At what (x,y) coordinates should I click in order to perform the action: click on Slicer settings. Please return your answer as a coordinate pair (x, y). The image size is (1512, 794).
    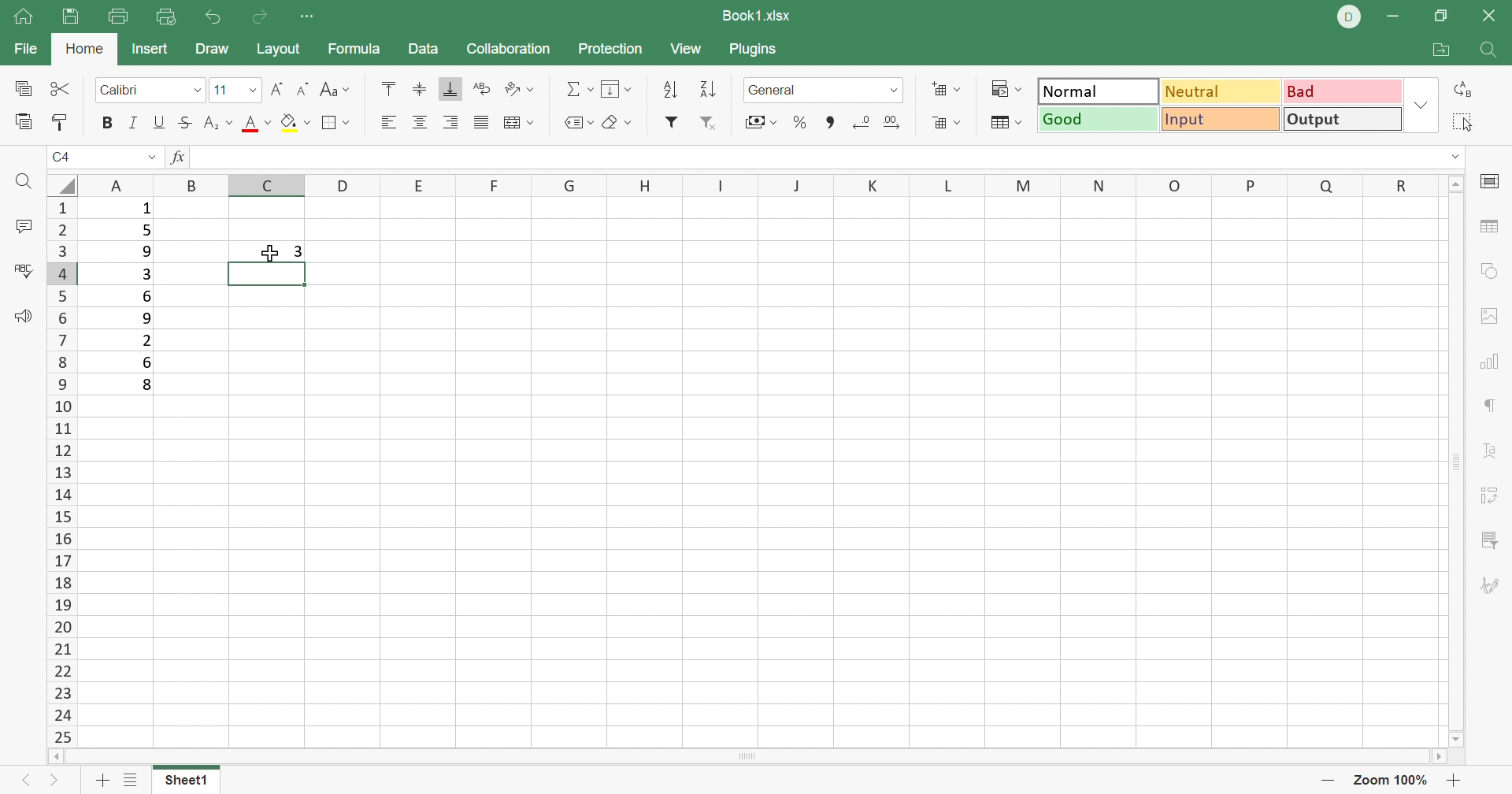
    Looking at the image, I should click on (1492, 540).